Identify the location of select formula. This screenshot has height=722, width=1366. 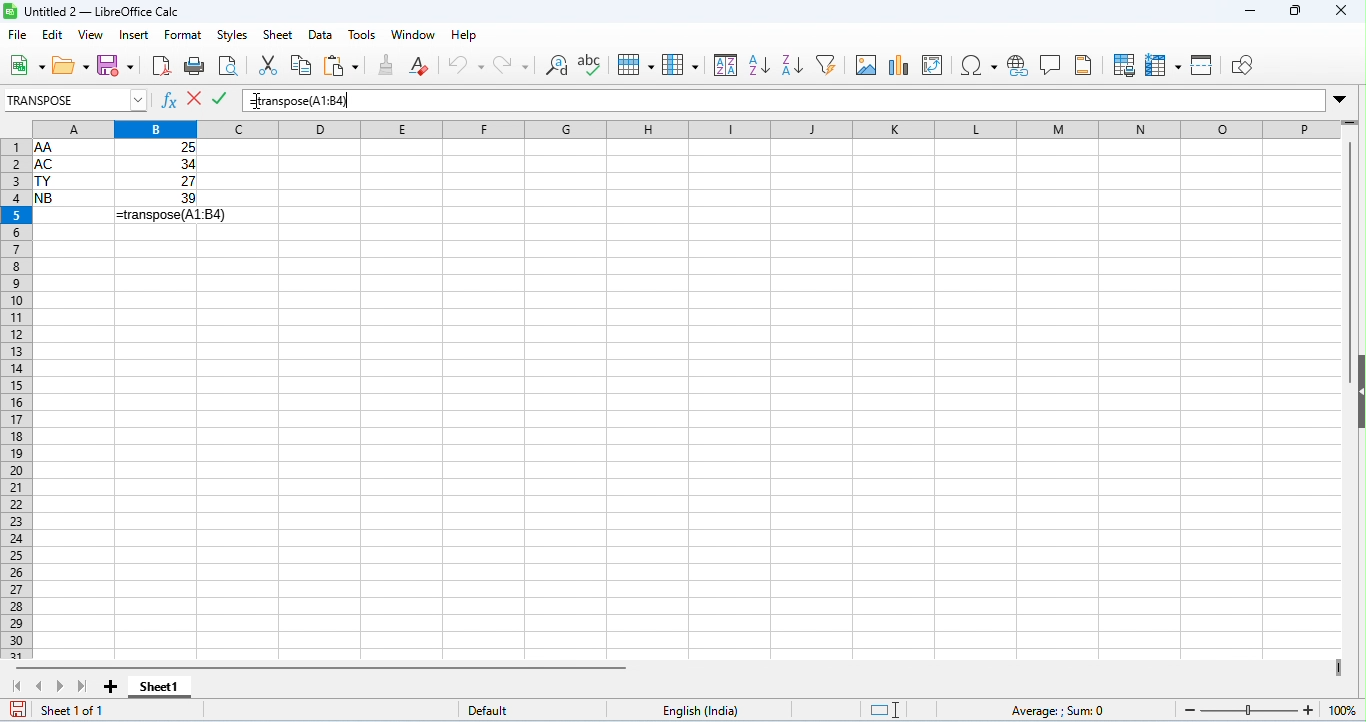
(76, 101).